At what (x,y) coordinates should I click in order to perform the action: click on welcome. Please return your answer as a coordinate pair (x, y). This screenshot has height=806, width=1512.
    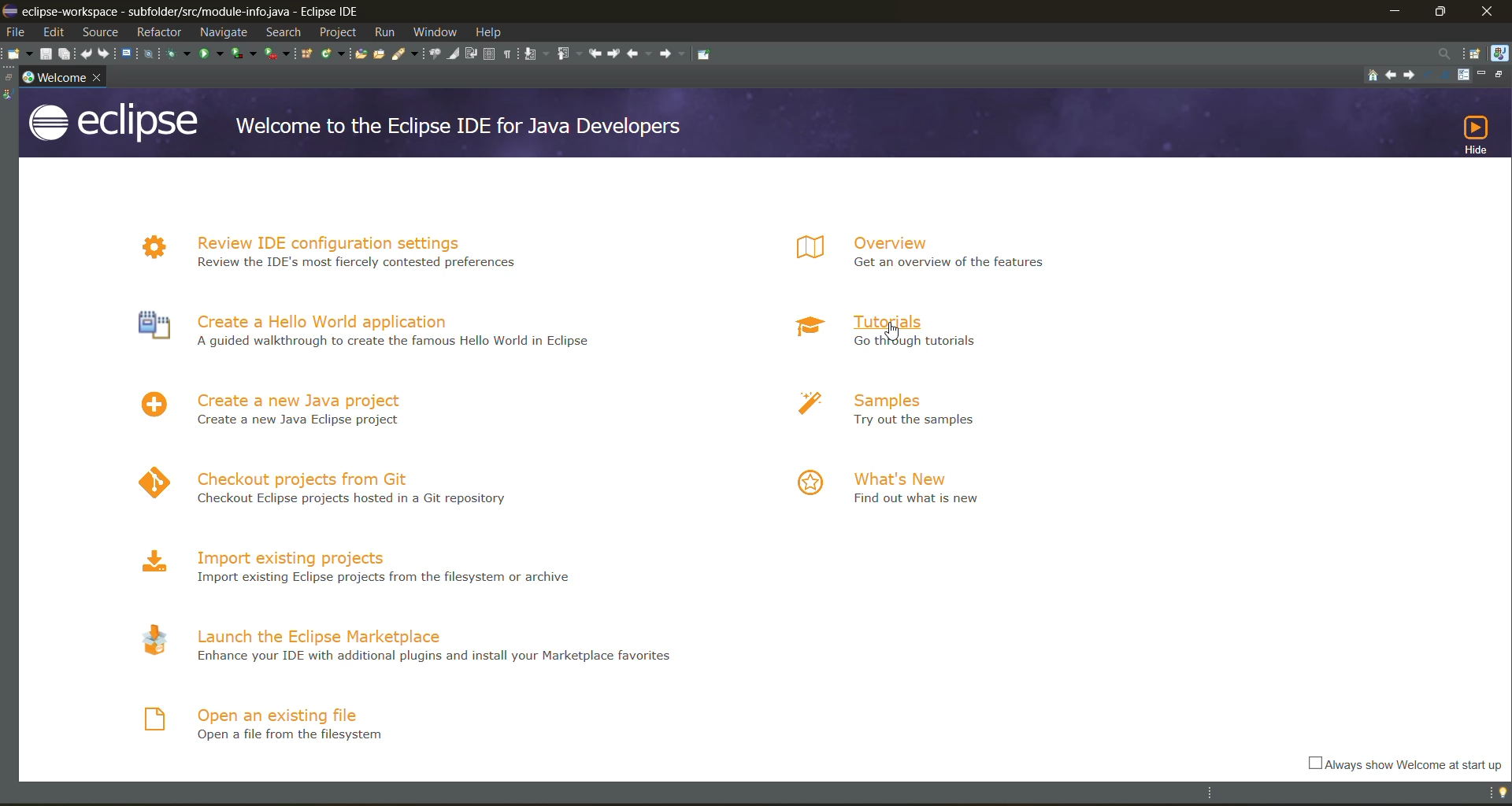
    Looking at the image, I should click on (56, 77).